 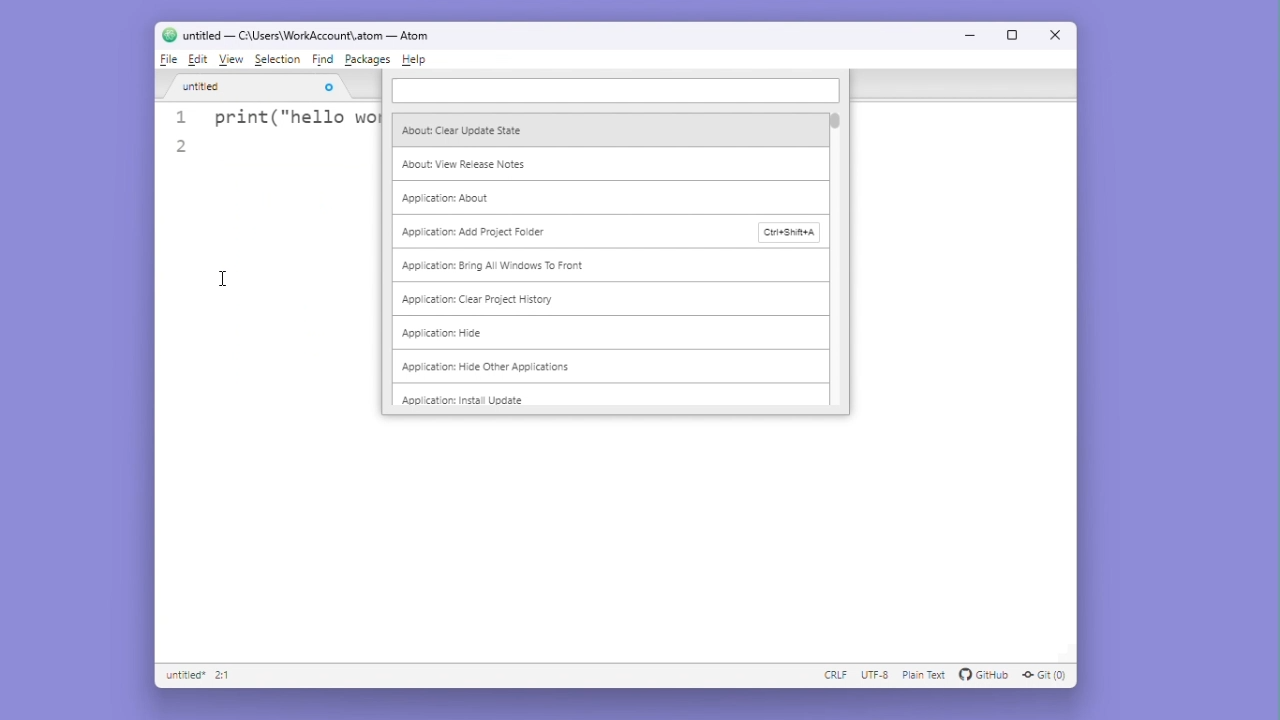 I want to click on Close, so click(x=1053, y=34).